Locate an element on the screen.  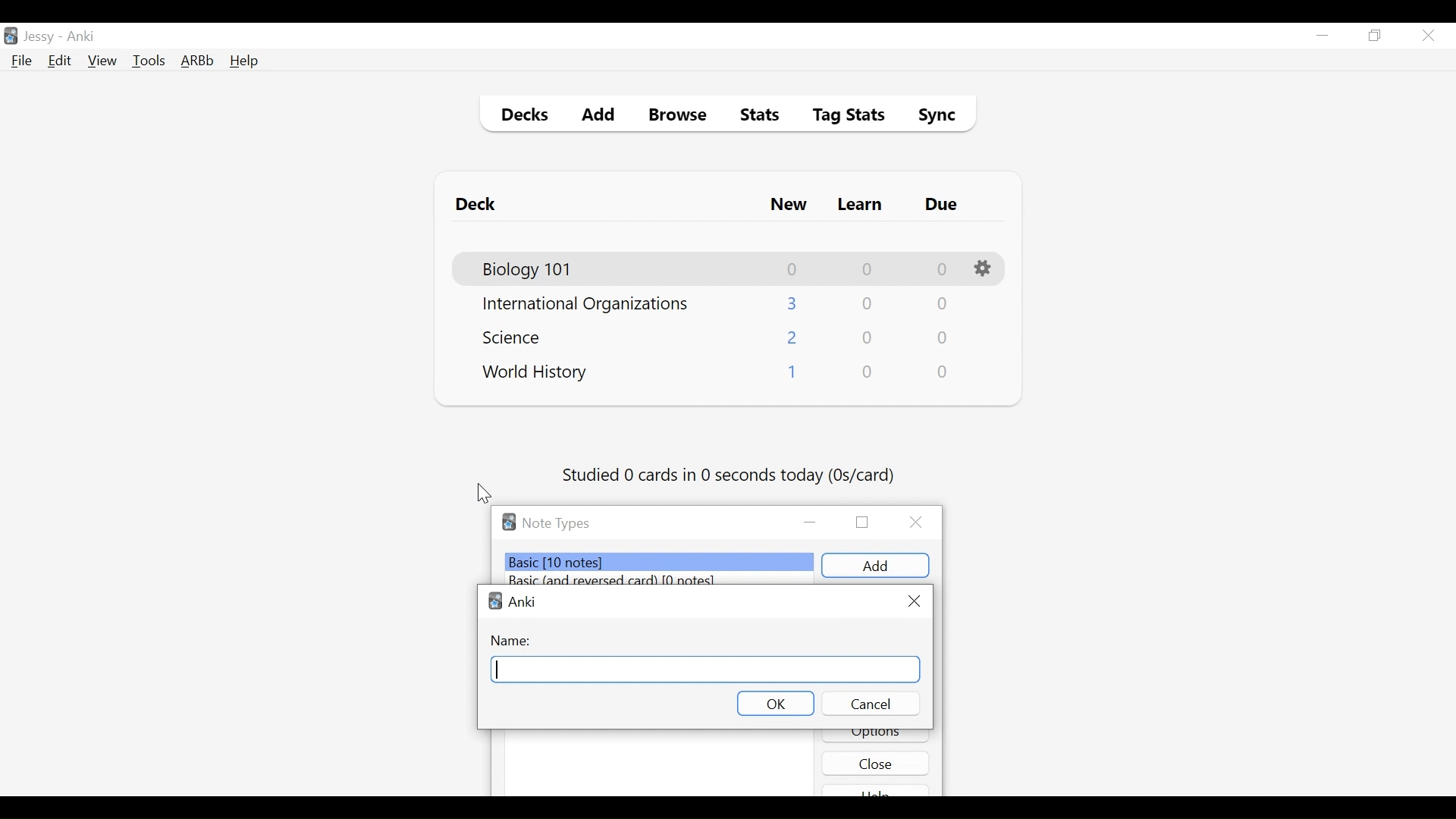
Learn Card Count is located at coordinates (868, 338).